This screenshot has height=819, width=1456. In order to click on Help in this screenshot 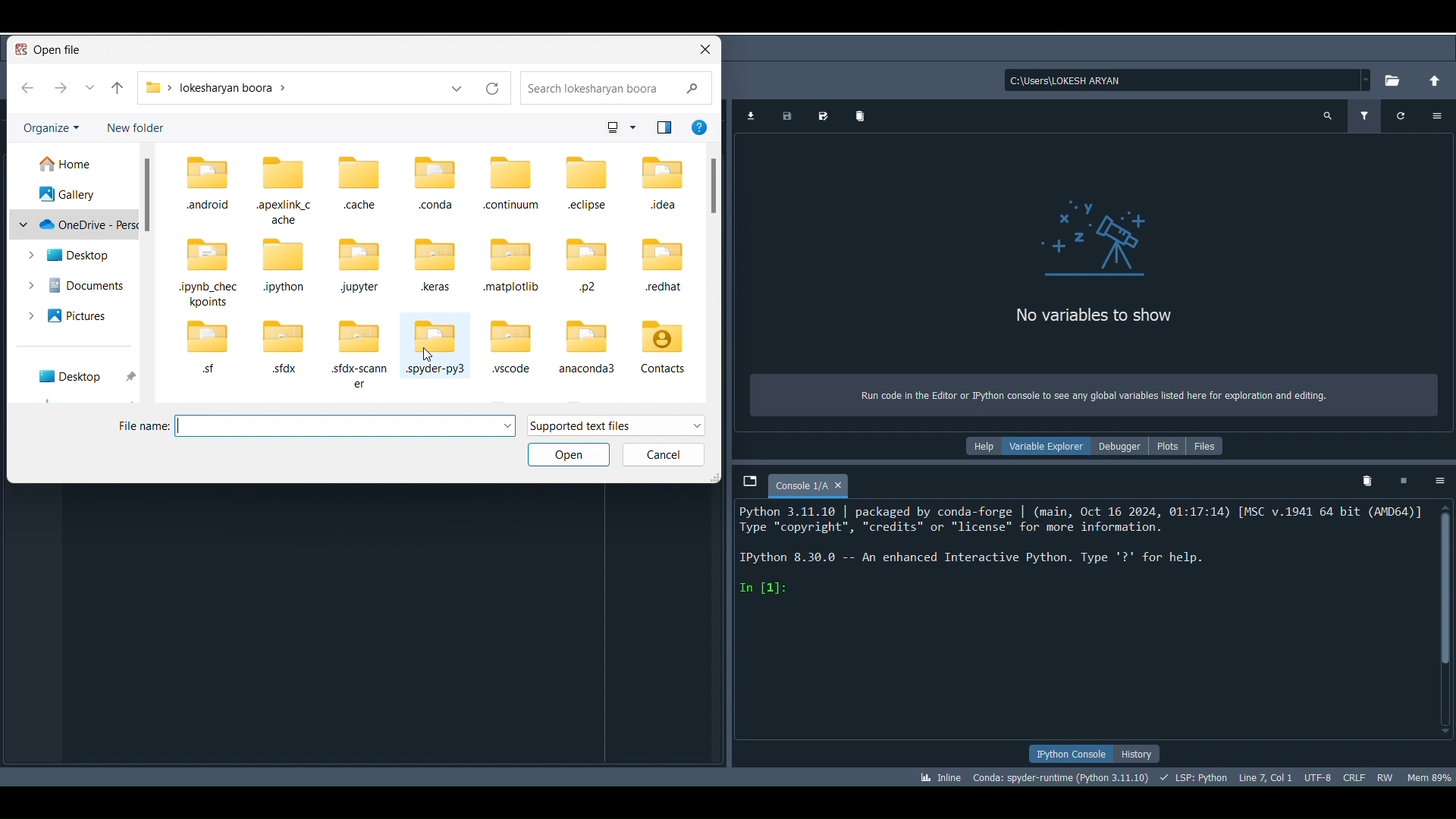, I will do `click(978, 447)`.